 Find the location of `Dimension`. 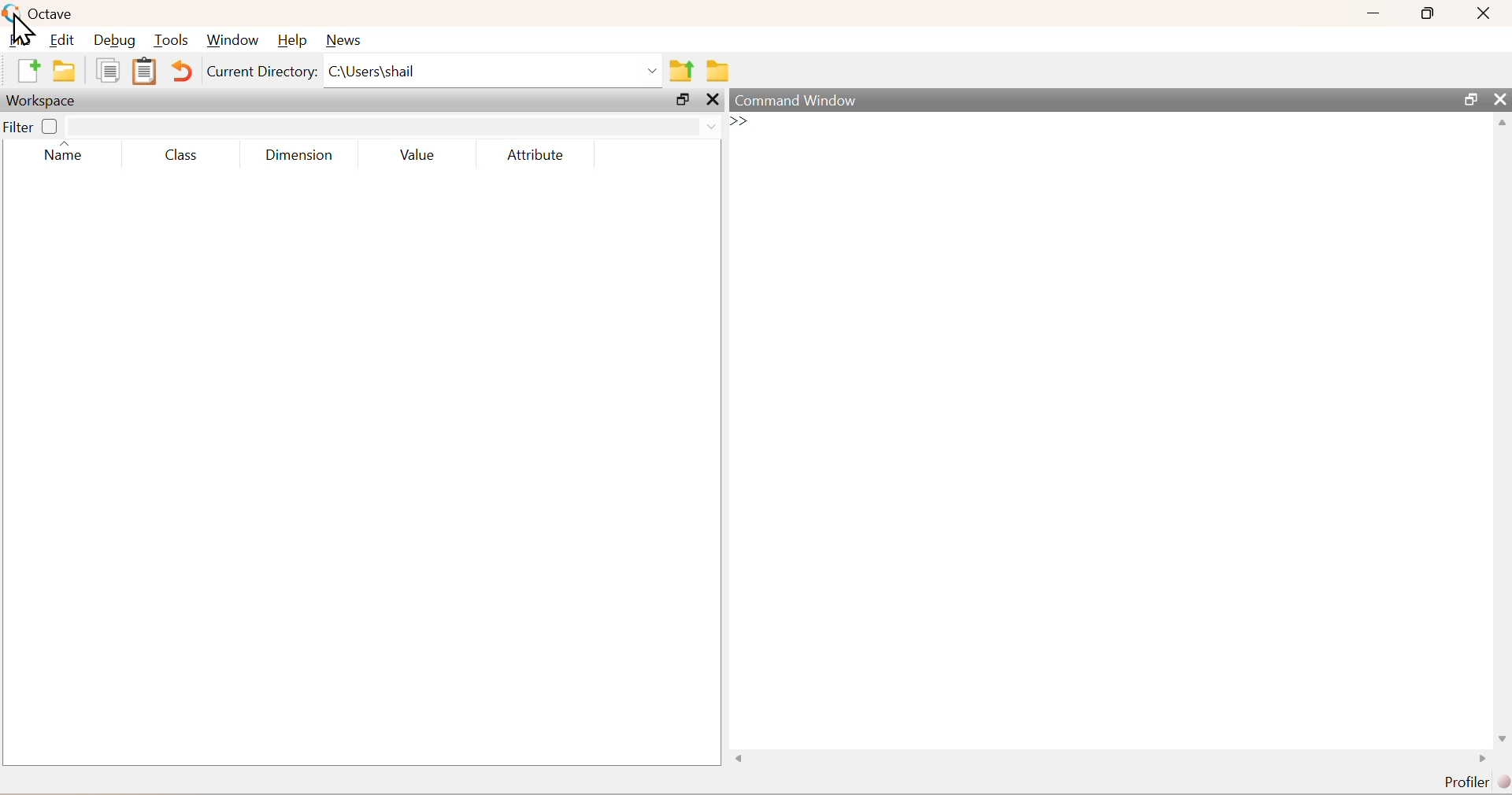

Dimension is located at coordinates (300, 156).